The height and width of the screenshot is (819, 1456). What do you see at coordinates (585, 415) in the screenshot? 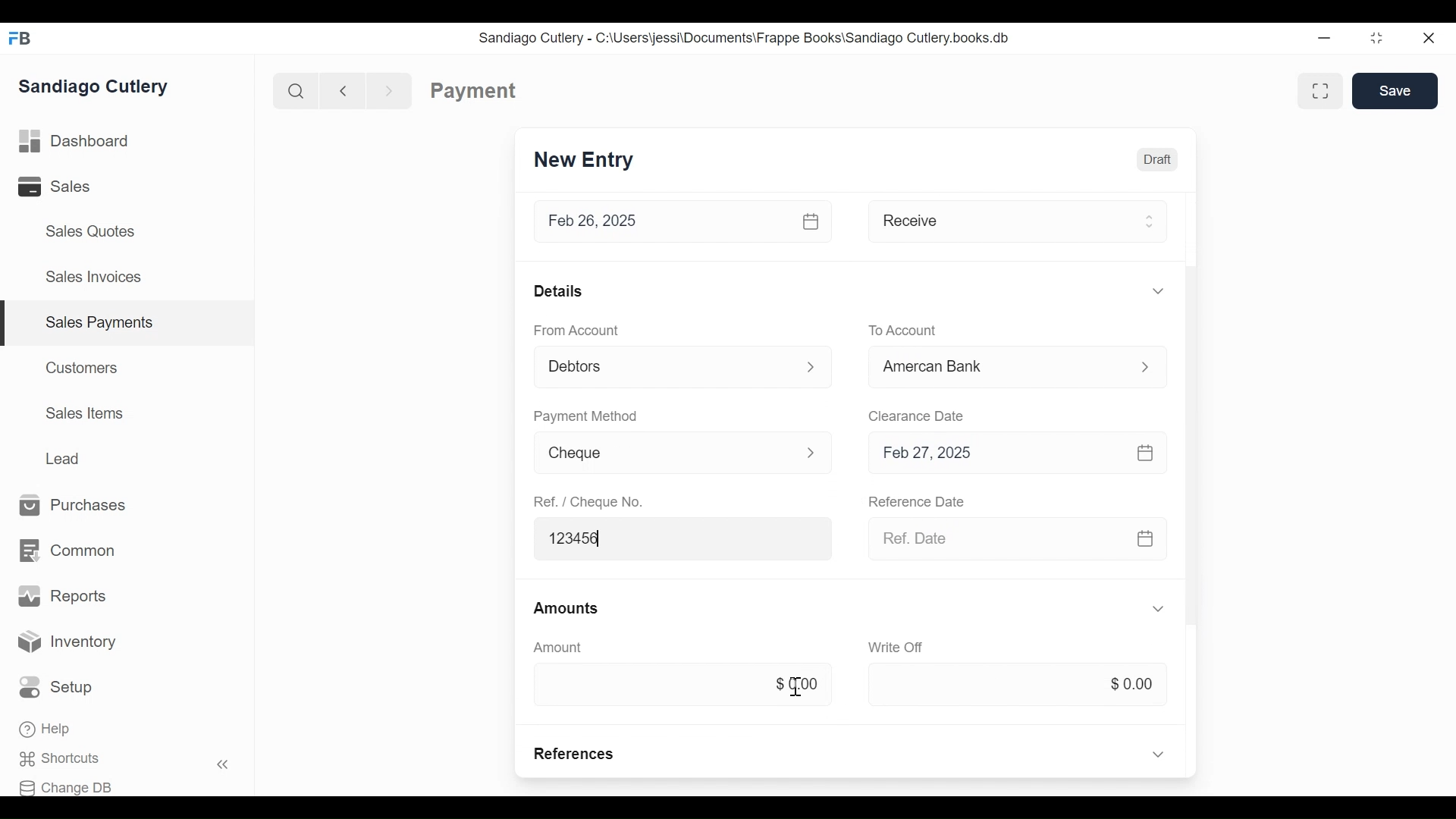
I see `Payment Method` at bounding box center [585, 415].